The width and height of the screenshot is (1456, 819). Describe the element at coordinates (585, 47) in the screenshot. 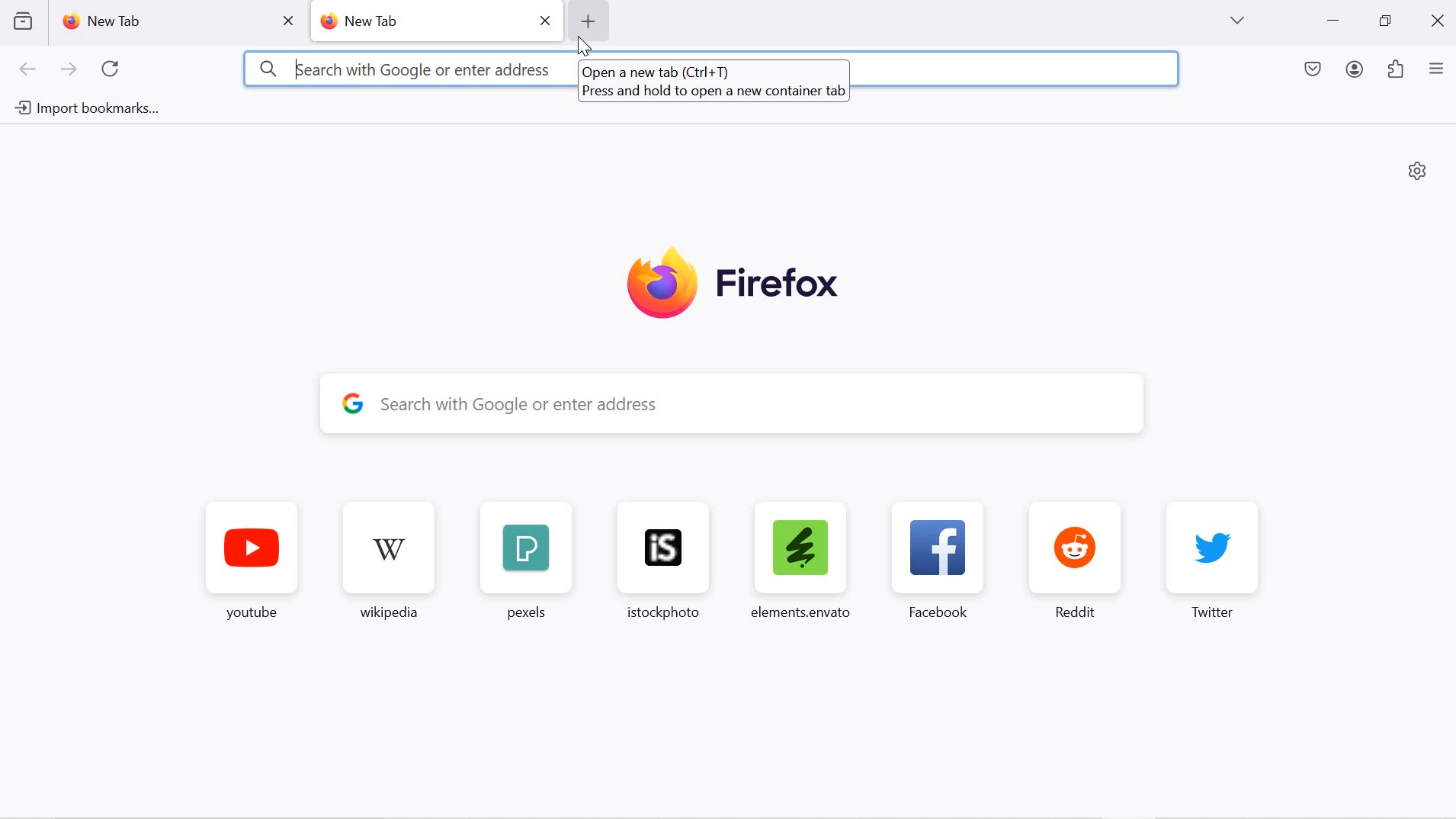

I see `cursor` at that location.